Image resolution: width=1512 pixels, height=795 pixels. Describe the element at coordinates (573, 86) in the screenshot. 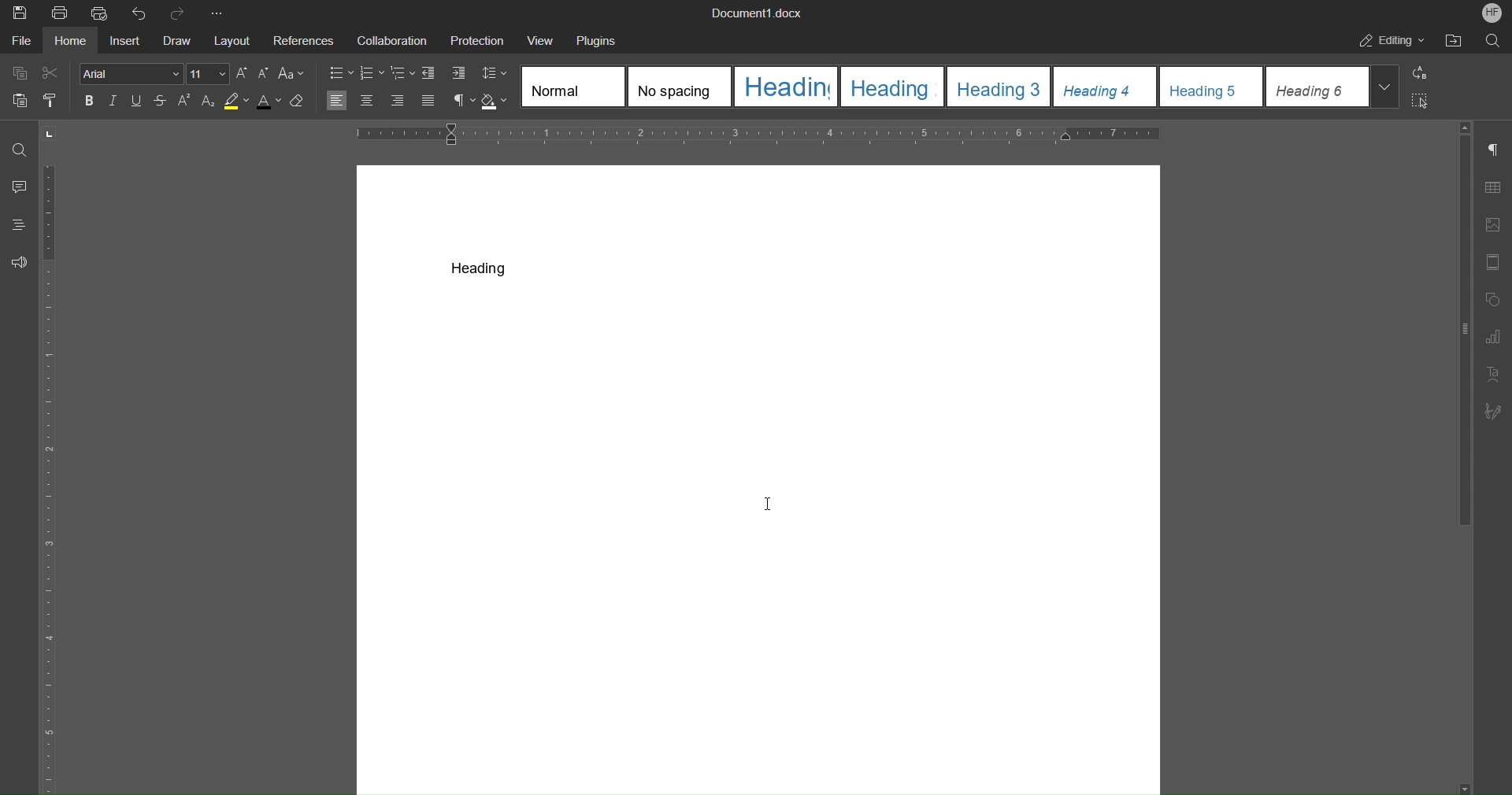

I see `Normal` at that location.